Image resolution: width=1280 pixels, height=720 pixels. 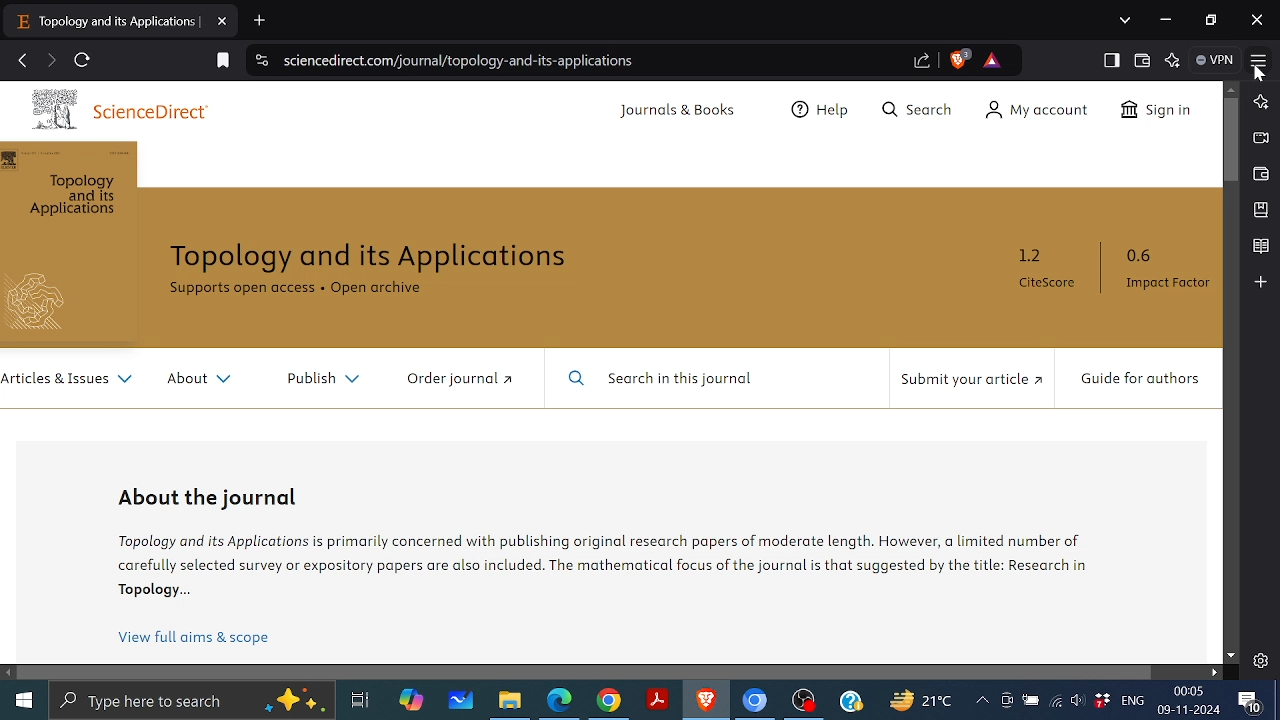 I want to click on My account, so click(x=1037, y=109).